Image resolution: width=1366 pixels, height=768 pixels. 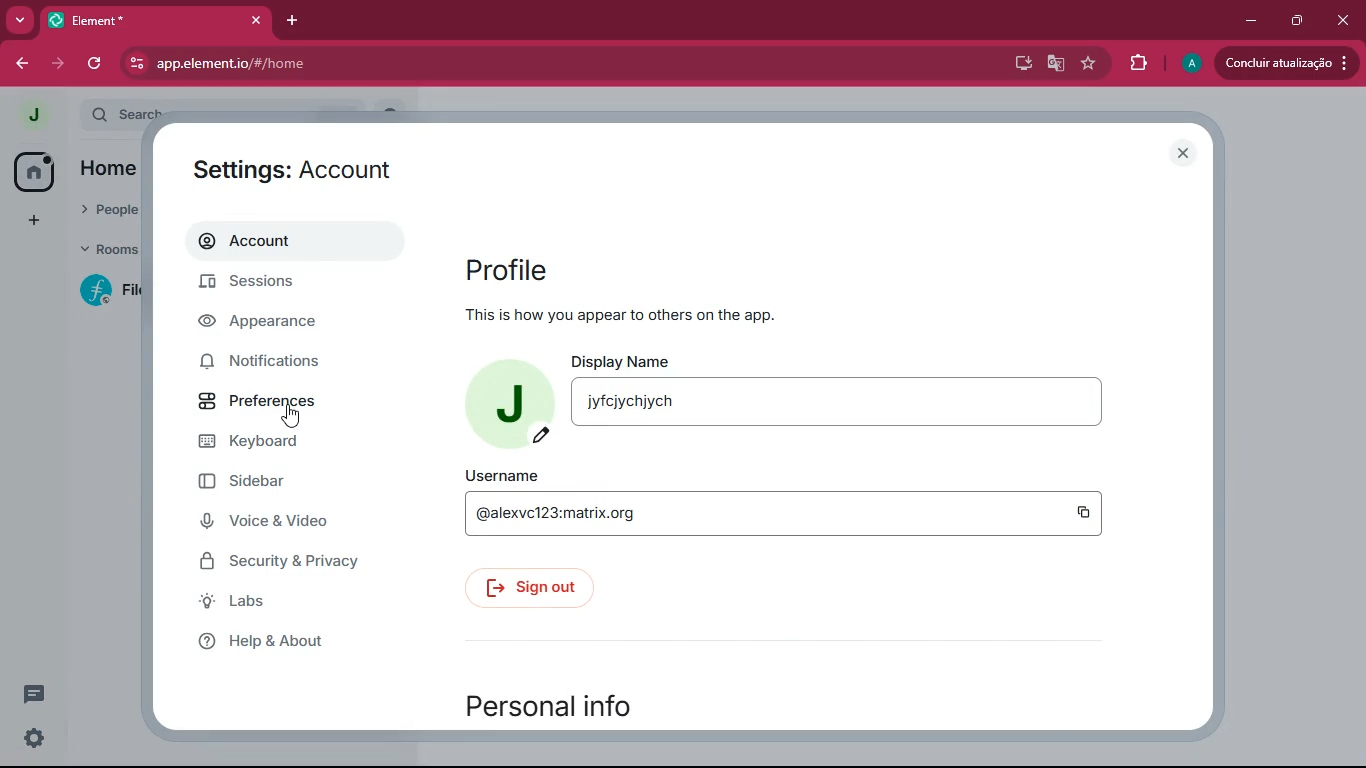 I want to click on add tab, so click(x=294, y=21).